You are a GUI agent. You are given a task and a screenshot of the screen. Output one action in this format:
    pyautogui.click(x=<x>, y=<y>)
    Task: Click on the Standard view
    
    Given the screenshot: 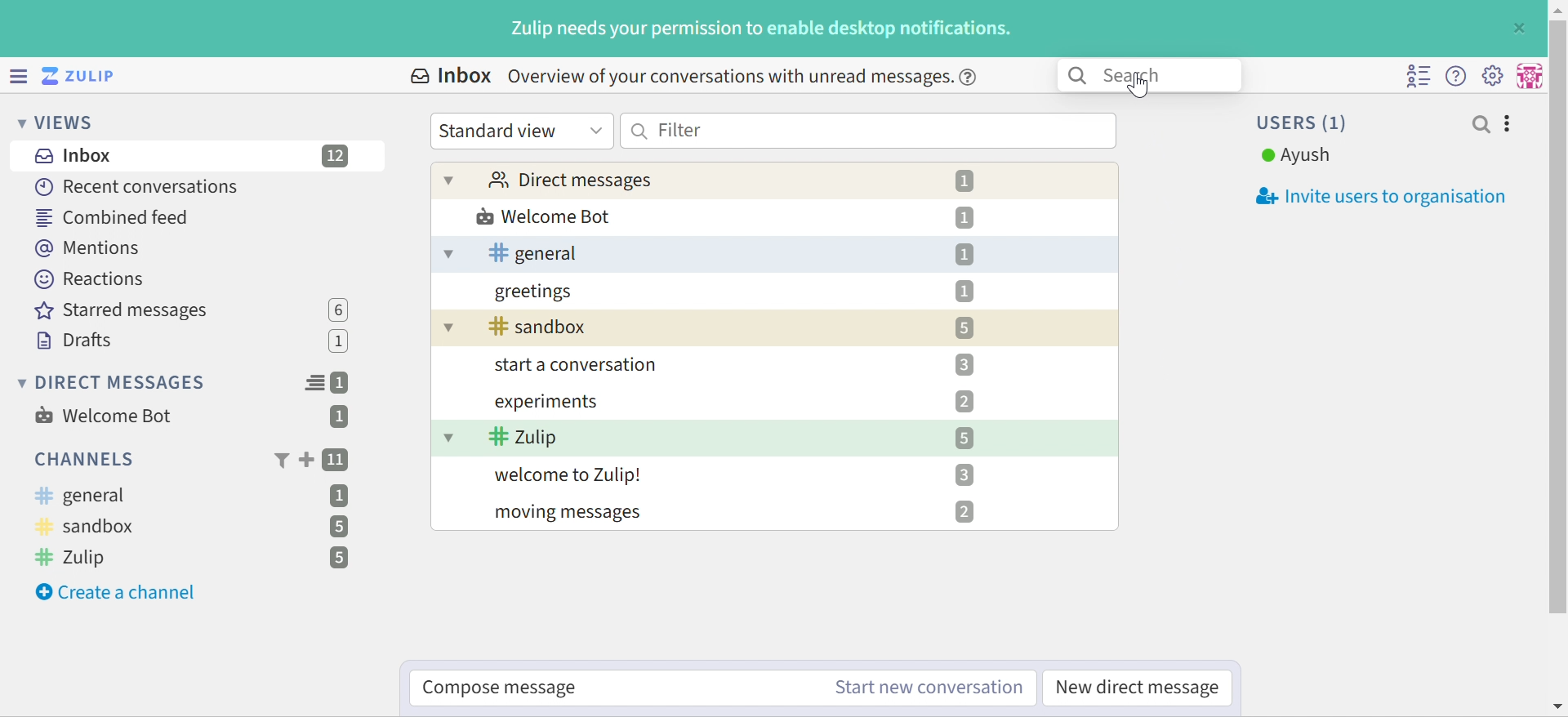 What is the action you would take?
    pyautogui.click(x=522, y=131)
    